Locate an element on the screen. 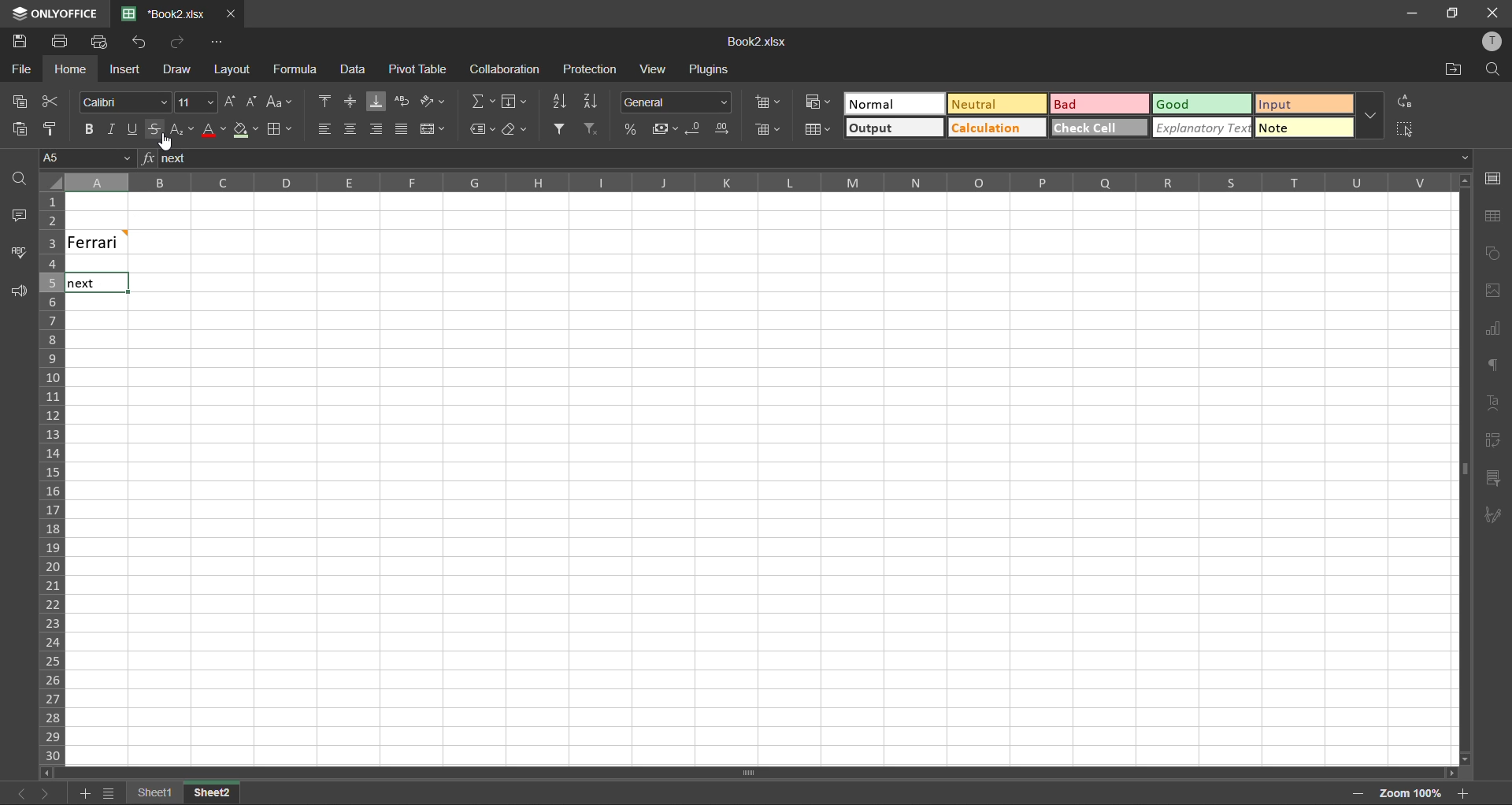 The width and height of the screenshot is (1512, 805). sort descending is located at coordinates (597, 102).